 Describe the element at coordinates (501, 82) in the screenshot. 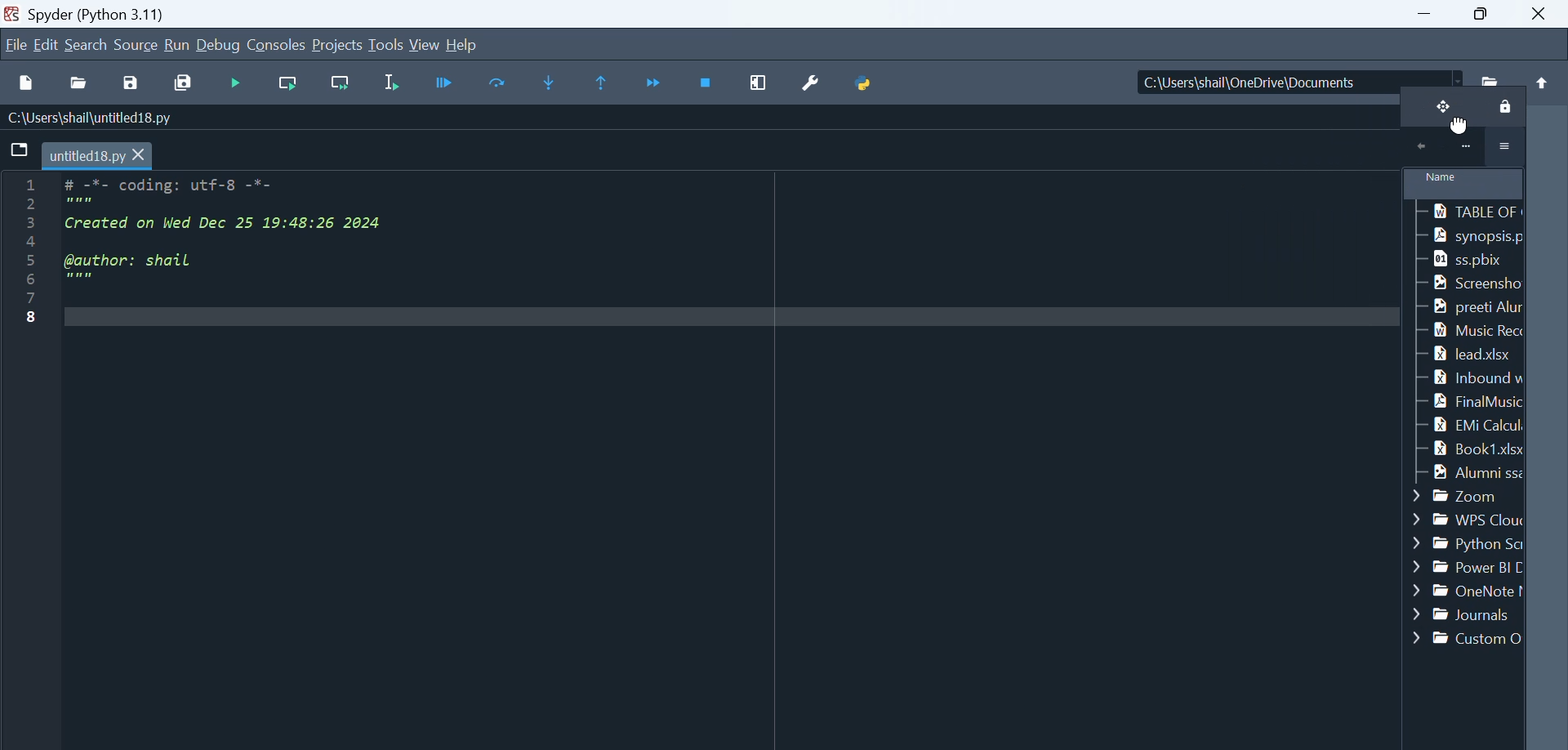

I see `Run current line` at that location.